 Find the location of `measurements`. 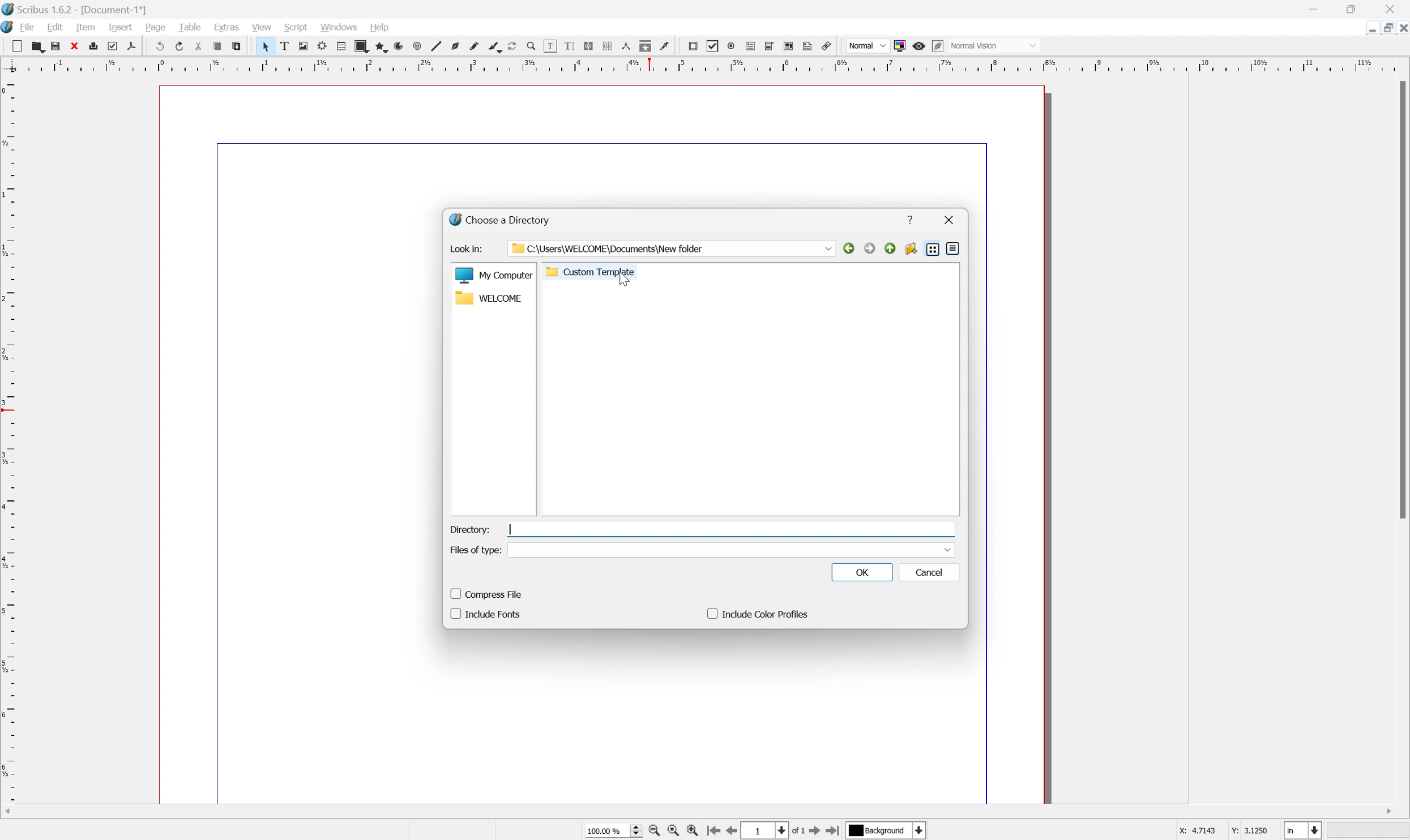

measurements is located at coordinates (626, 46).